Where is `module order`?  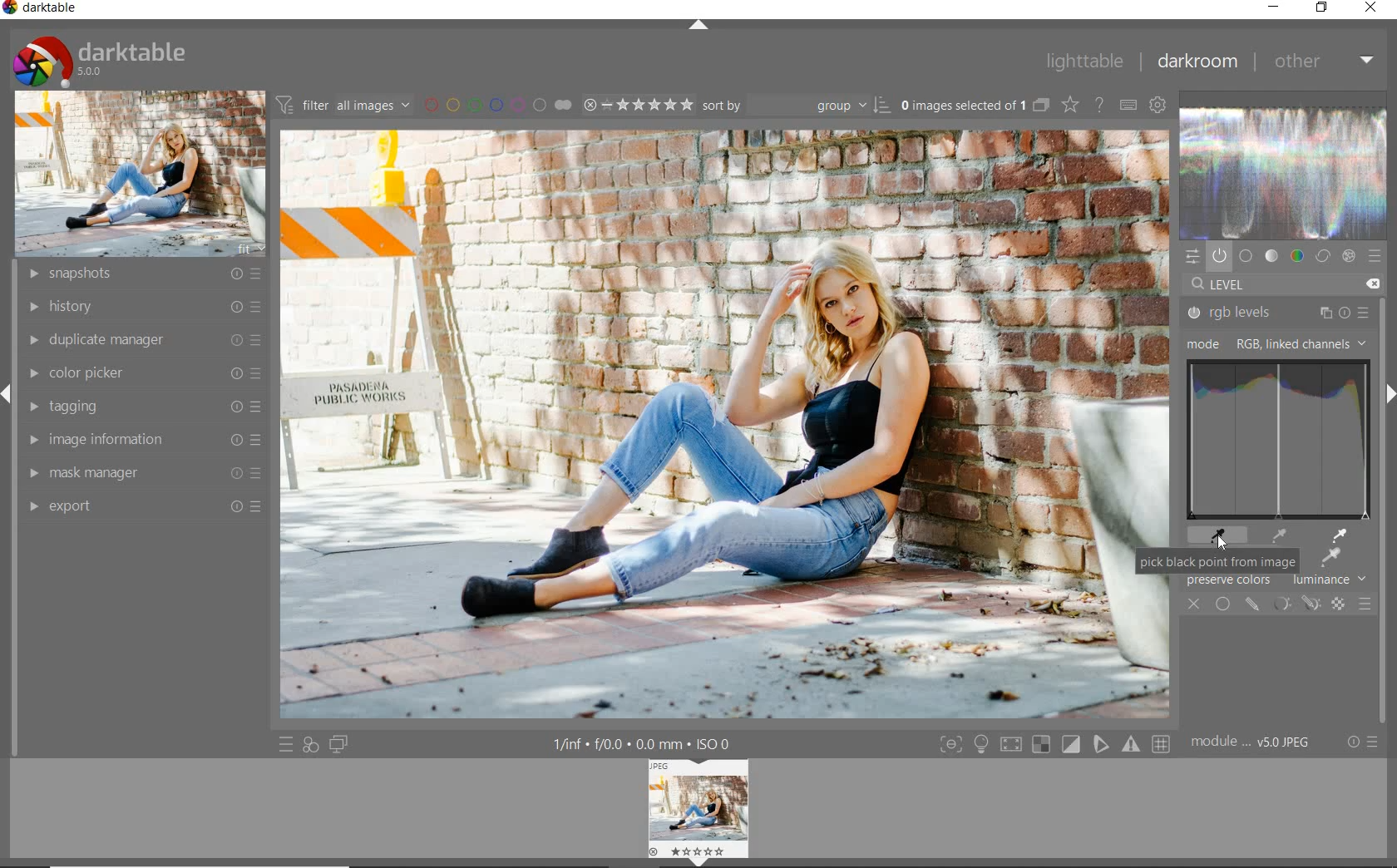
module order is located at coordinates (1255, 741).